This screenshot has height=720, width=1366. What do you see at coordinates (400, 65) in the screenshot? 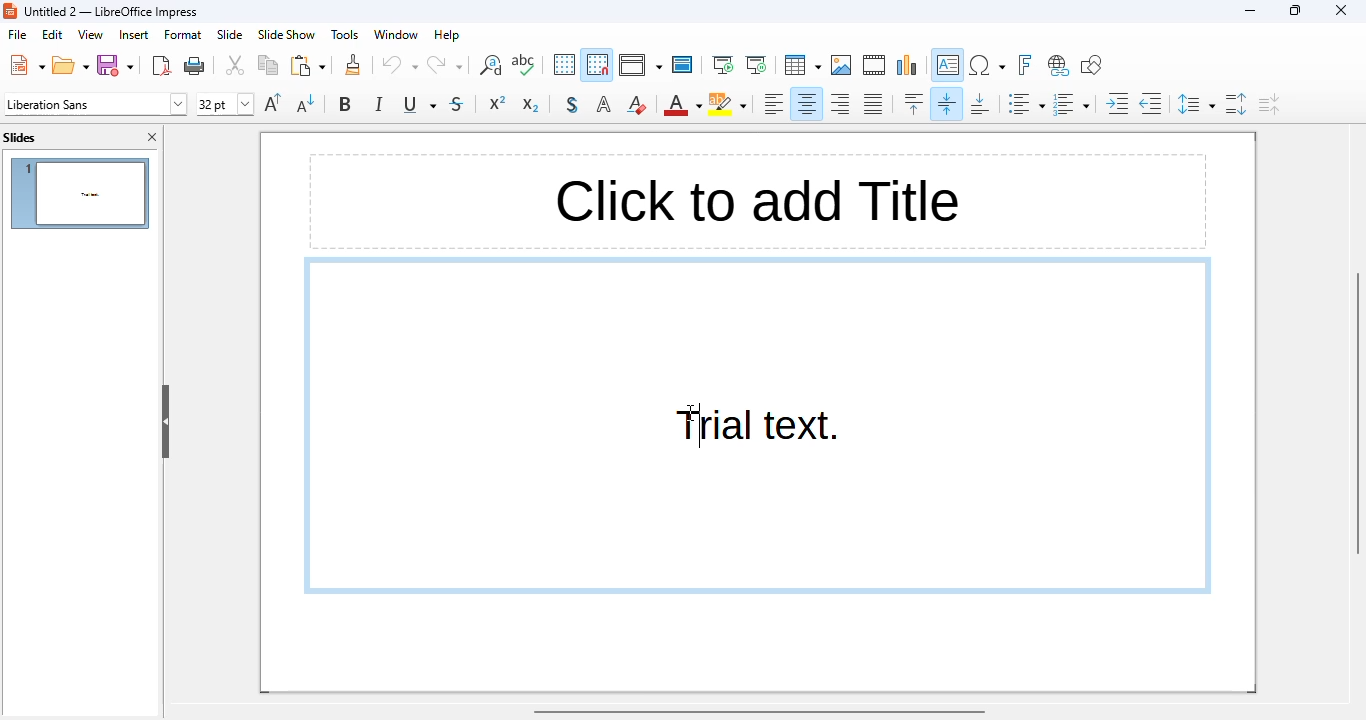
I see `undo` at bounding box center [400, 65].